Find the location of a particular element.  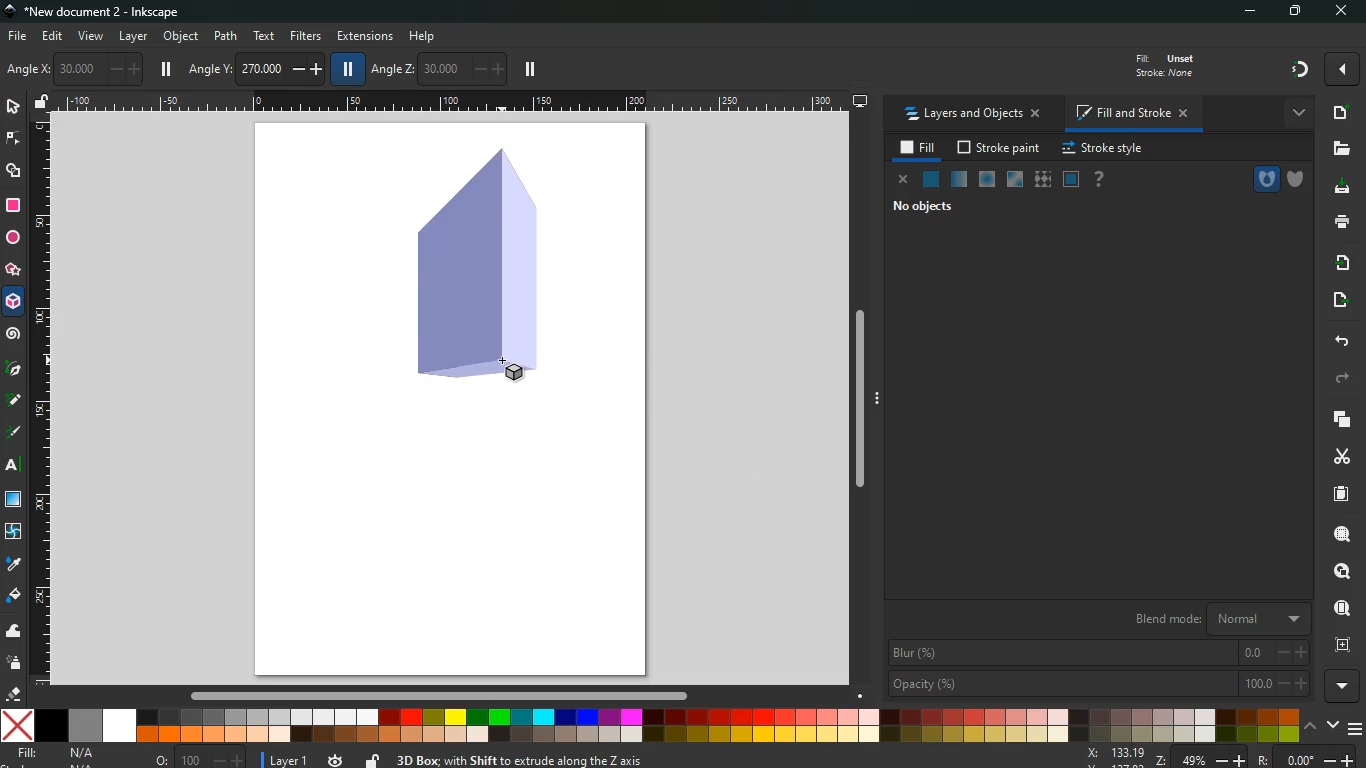

extensions is located at coordinates (365, 37).